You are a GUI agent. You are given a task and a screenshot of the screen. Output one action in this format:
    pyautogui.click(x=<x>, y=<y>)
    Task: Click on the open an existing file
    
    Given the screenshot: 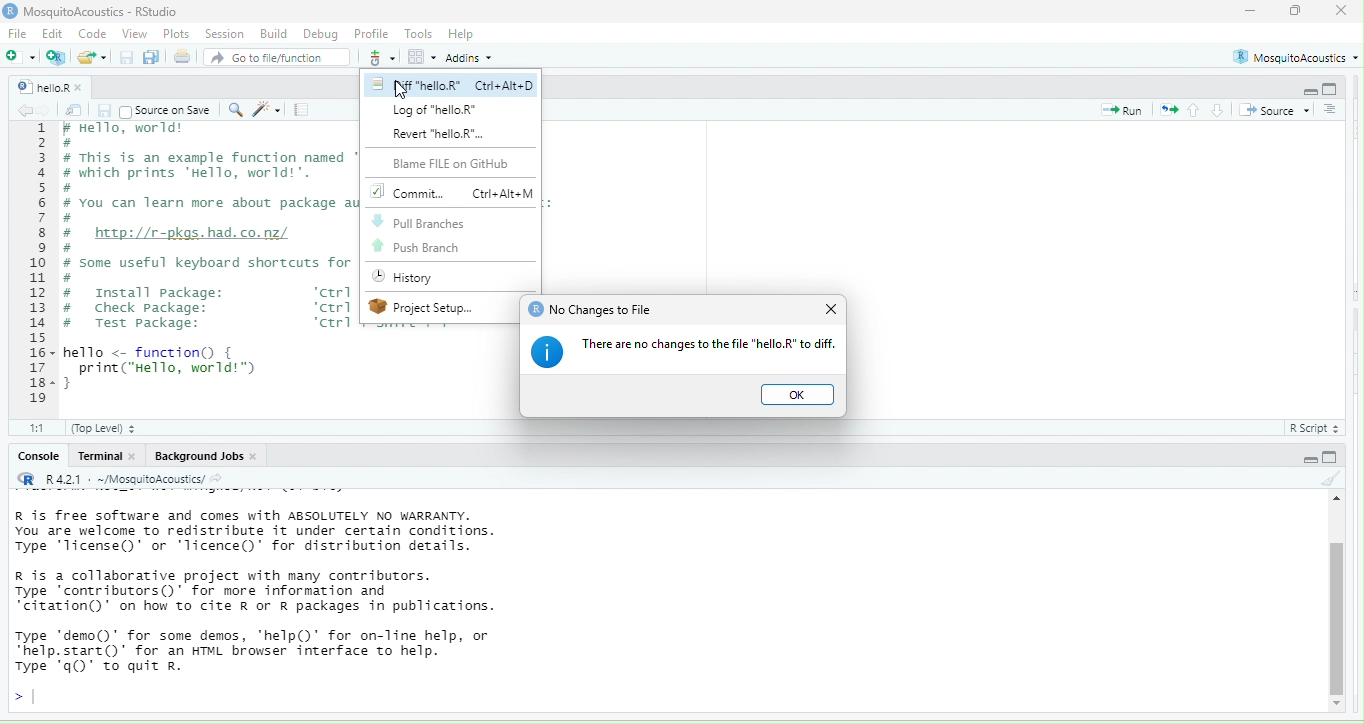 What is the action you would take?
    pyautogui.click(x=95, y=58)
    